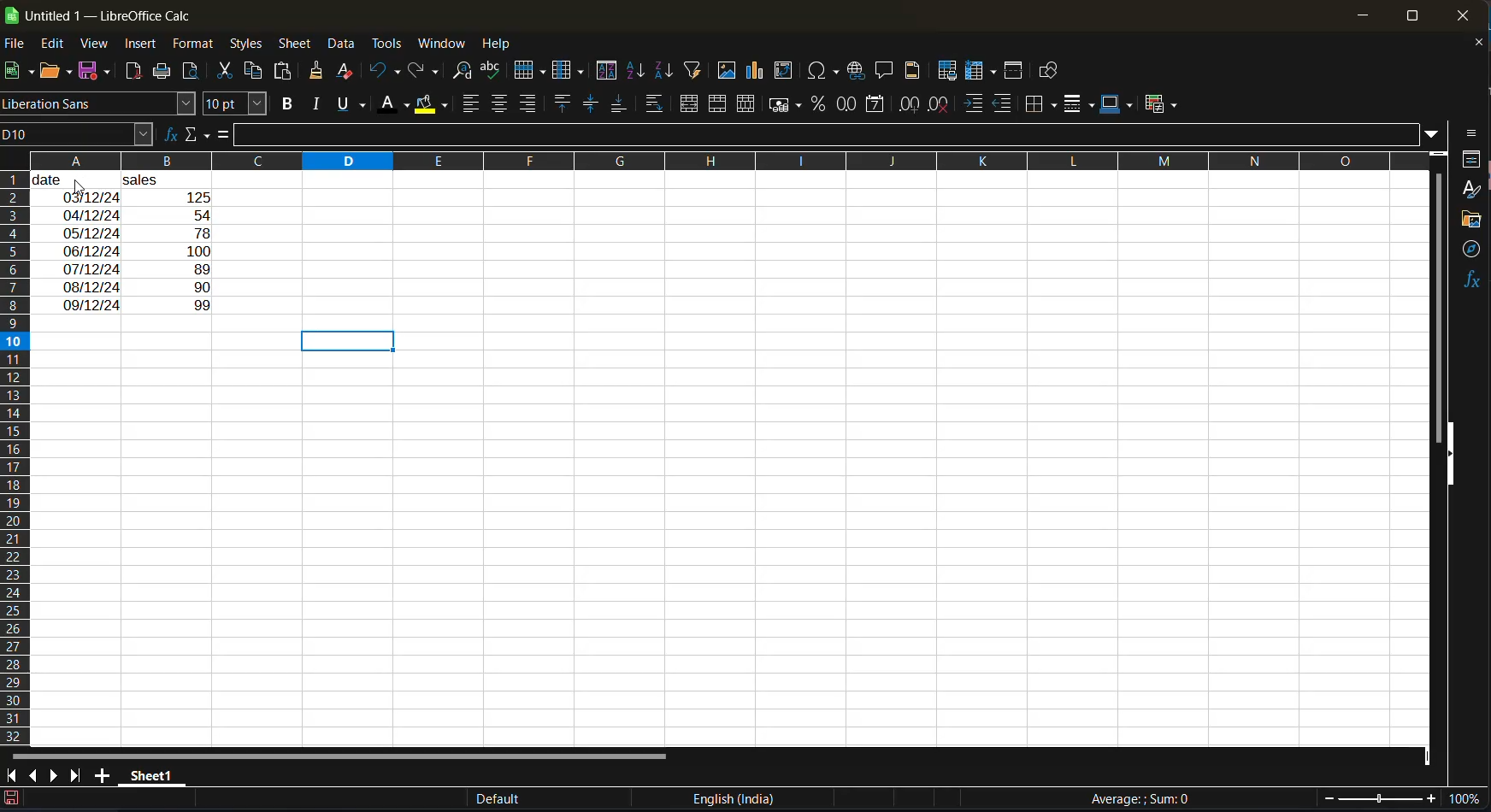 The image size is (1491, 812). What do you see at coordinates (152, 778) in the screenshot?
I see `sheet name` at bounding box center [152, 778].